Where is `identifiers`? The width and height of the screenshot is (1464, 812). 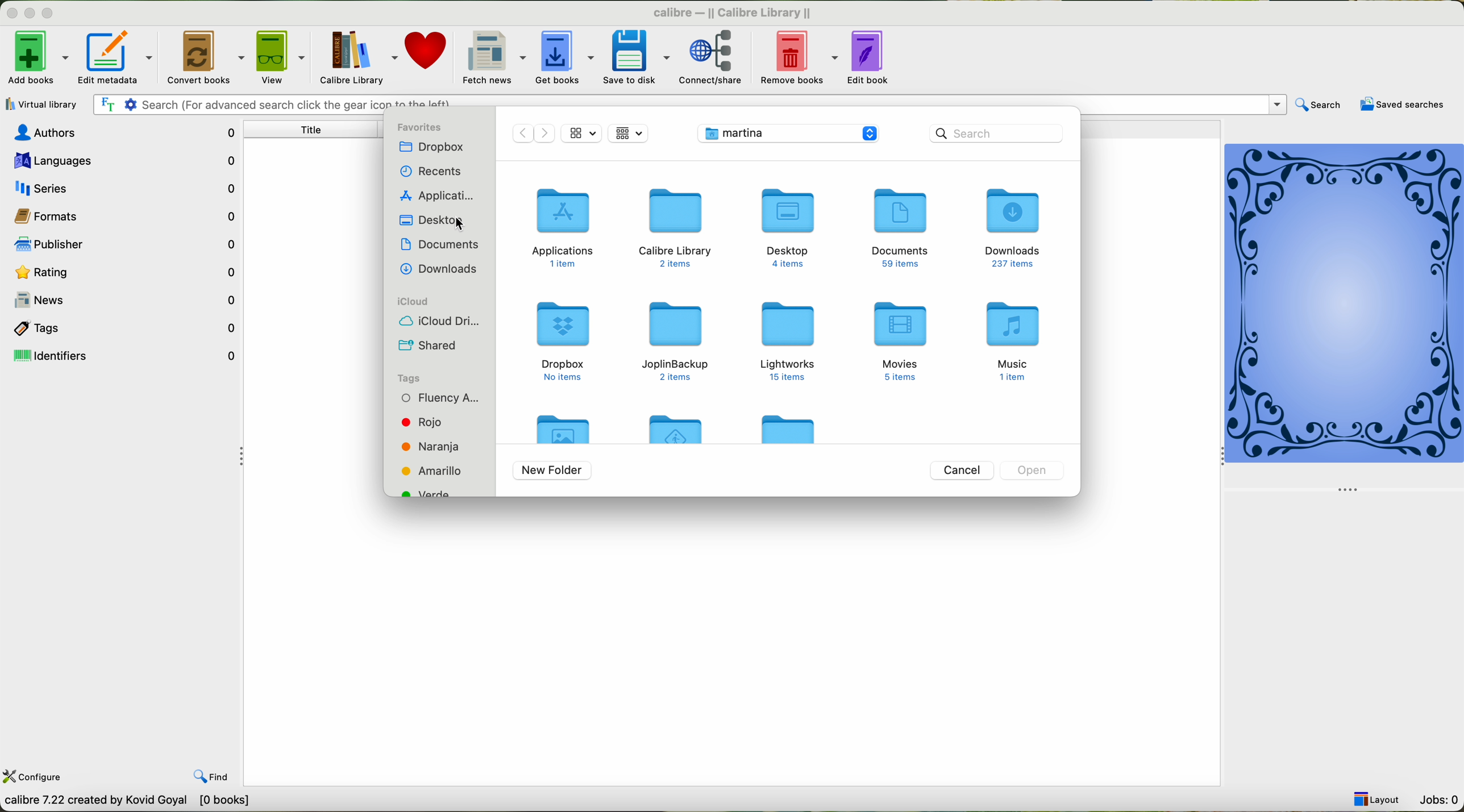 identifiers is located at coordinates (125, 357).